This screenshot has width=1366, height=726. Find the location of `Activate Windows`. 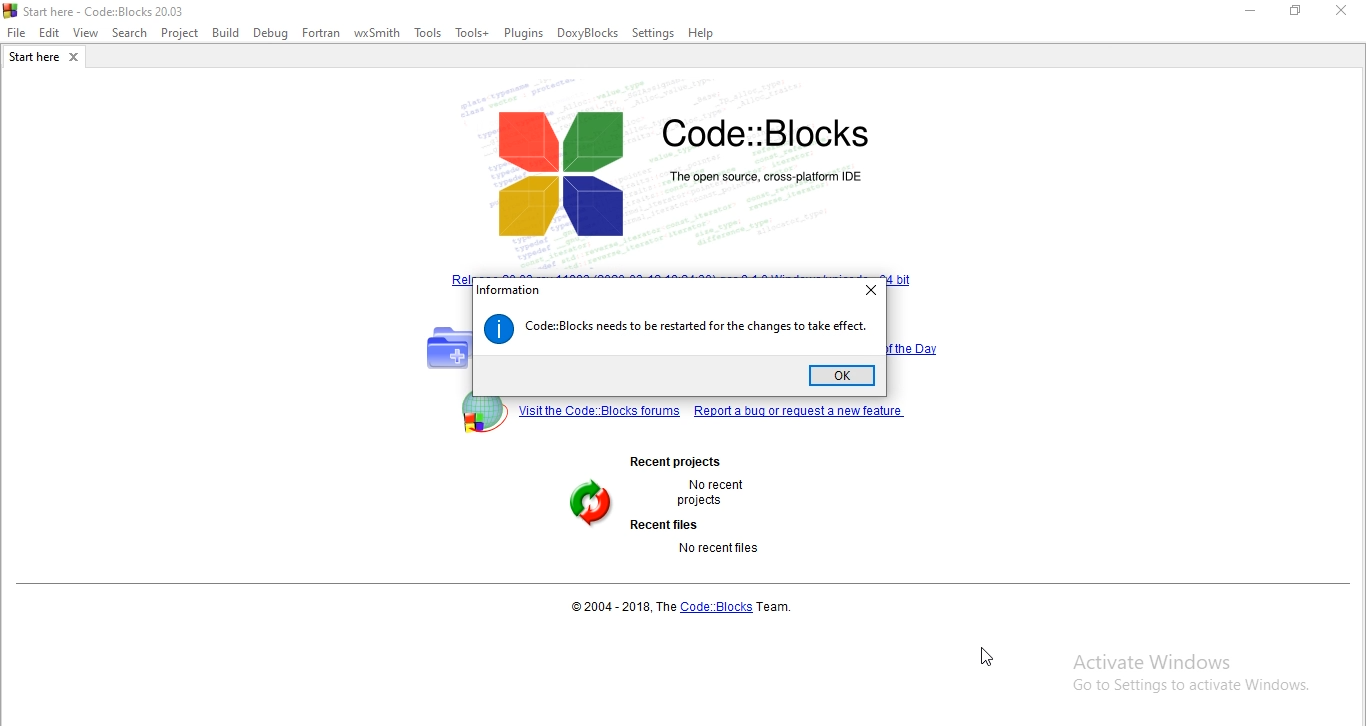

Activate Windows is located at coordinates (1192, 675).